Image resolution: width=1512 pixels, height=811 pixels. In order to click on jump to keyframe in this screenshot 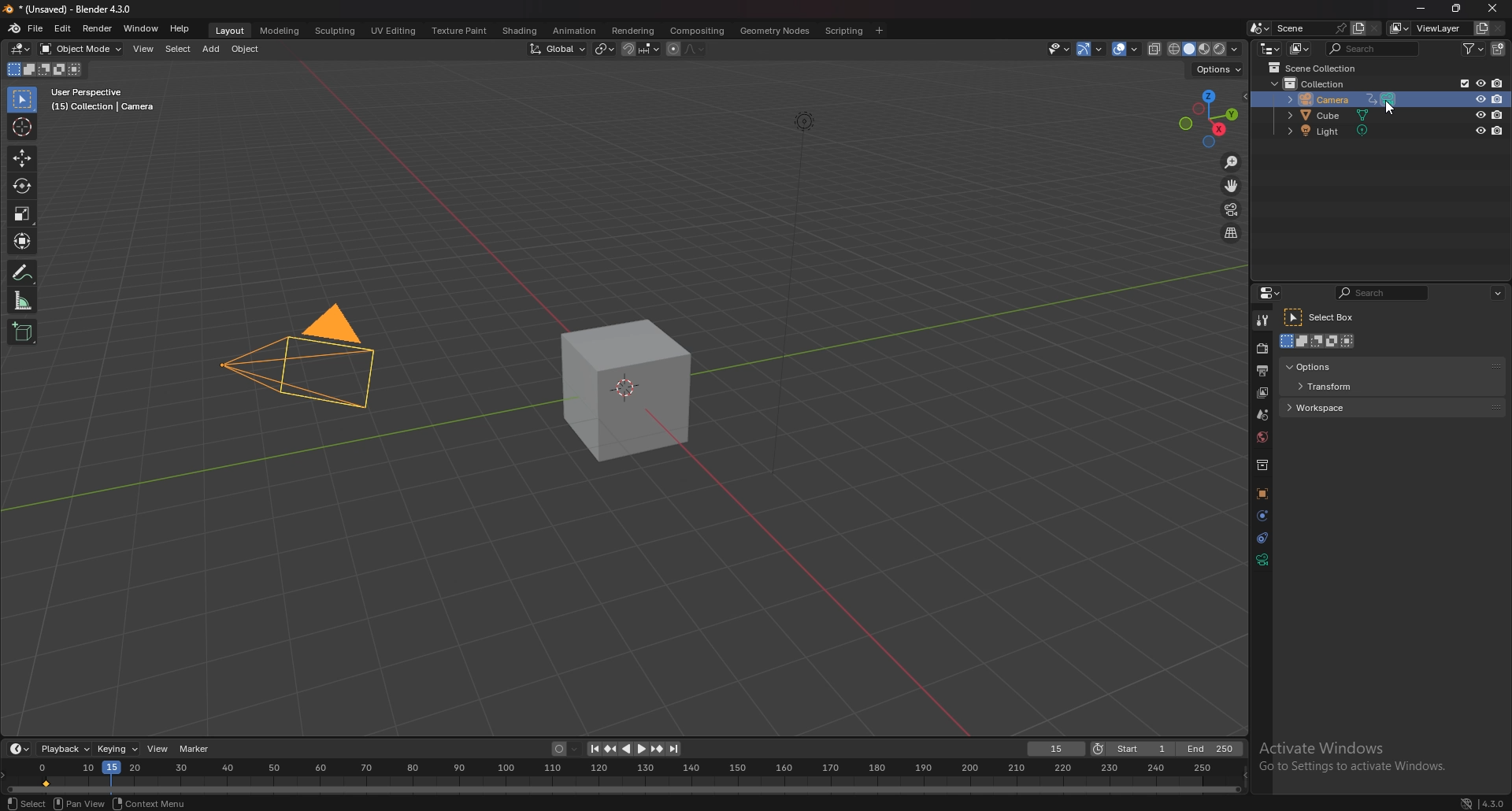, I will do `click(657, 749)`.